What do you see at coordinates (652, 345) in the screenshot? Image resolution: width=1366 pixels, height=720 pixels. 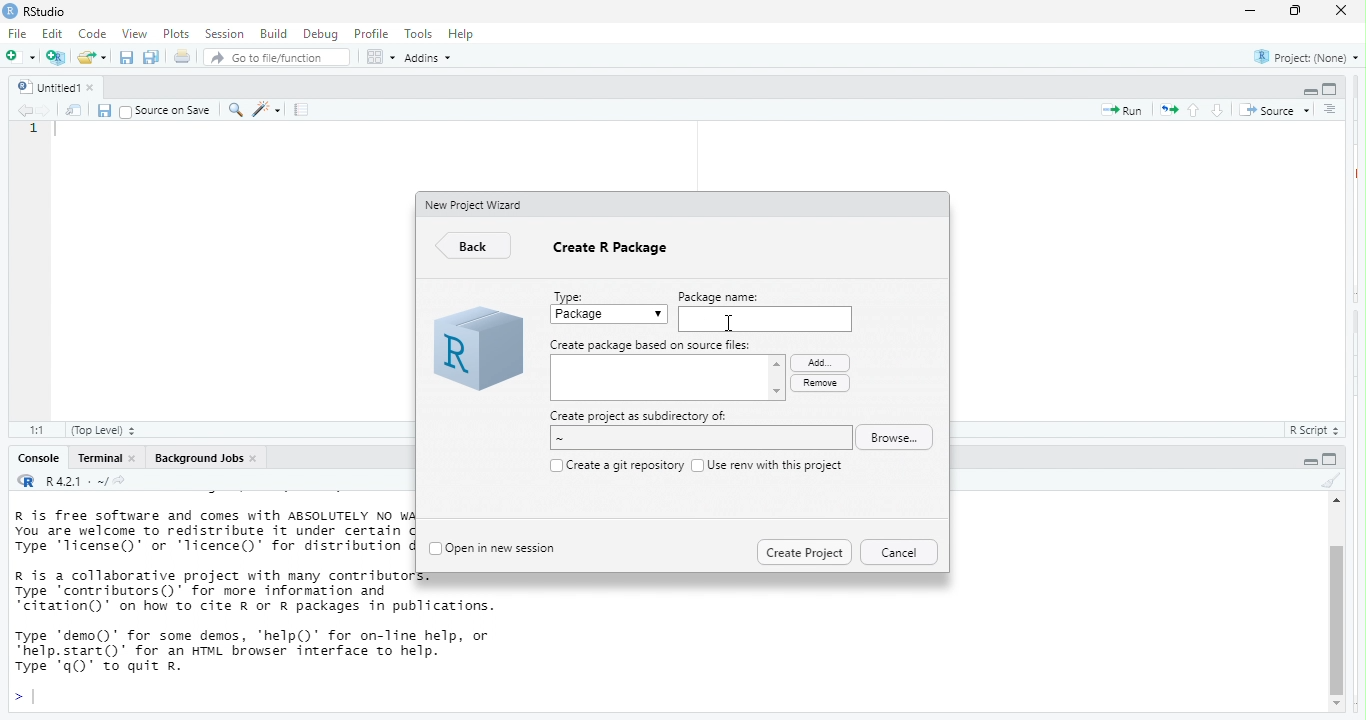 I see `Create package based on source files:` at bounding box center [652, 345].